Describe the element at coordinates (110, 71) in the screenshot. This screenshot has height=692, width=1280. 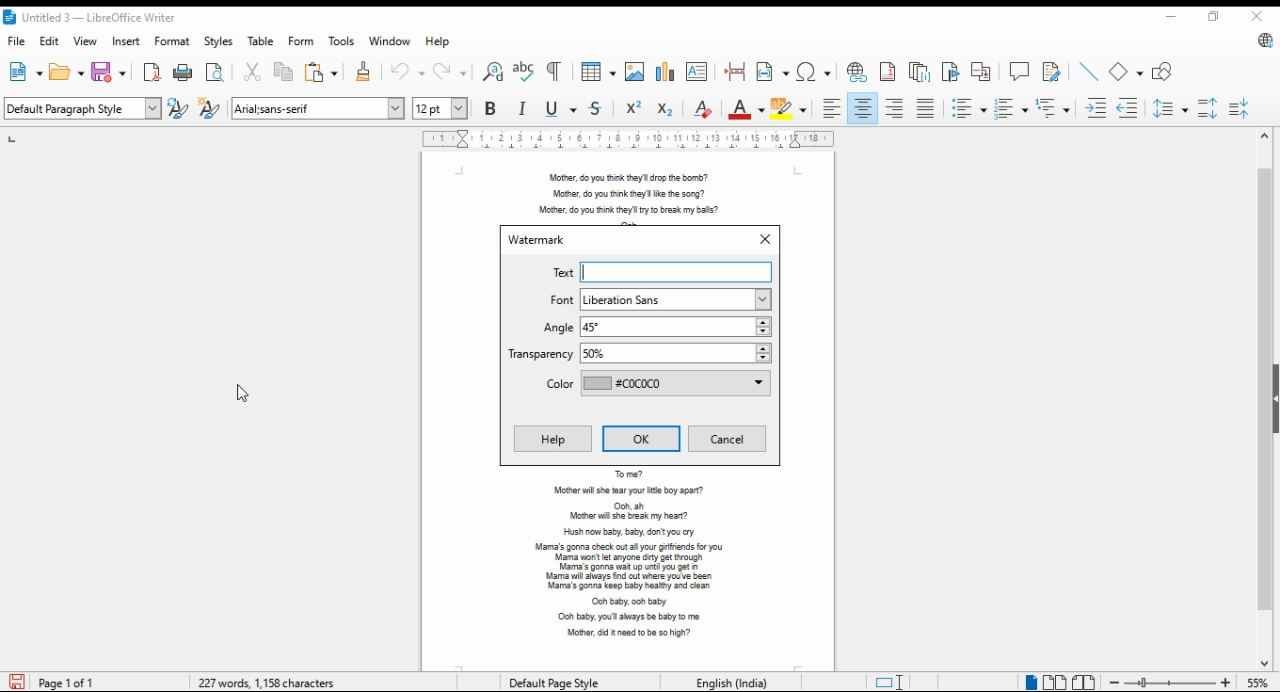
I see `save` at that location.